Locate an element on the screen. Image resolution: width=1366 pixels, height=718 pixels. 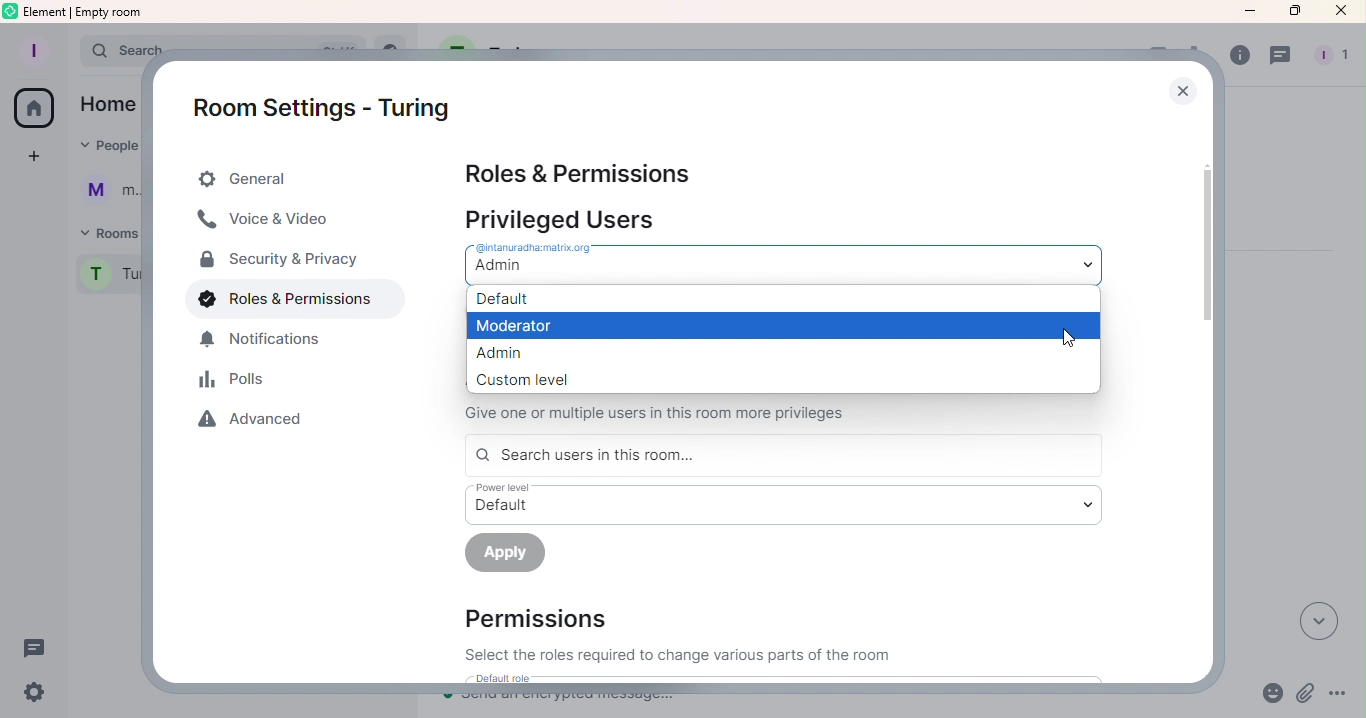
Apply is located at coordinates (513, 553).